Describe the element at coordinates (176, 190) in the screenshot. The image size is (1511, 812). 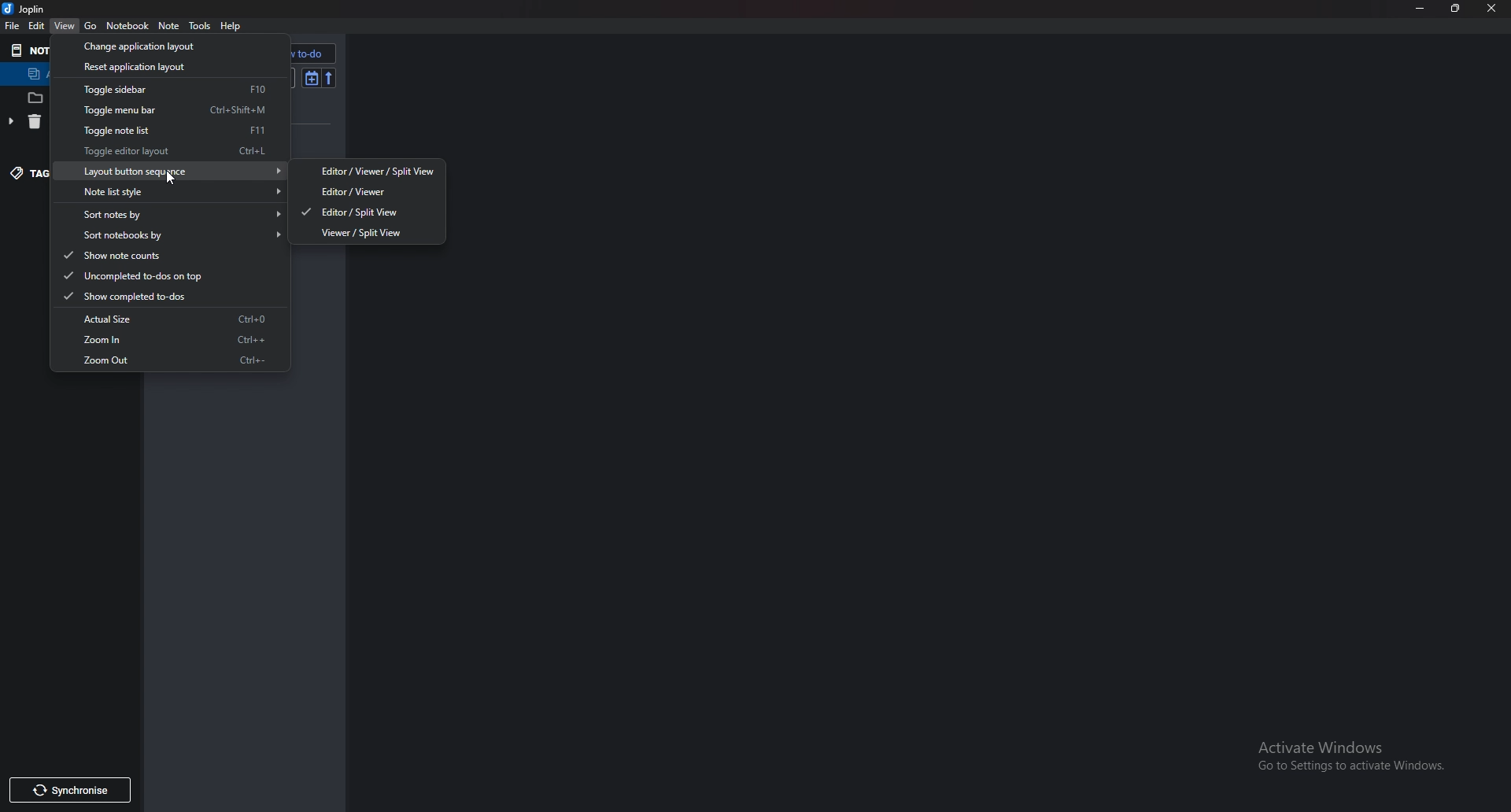
I see `Note list style` at that location.